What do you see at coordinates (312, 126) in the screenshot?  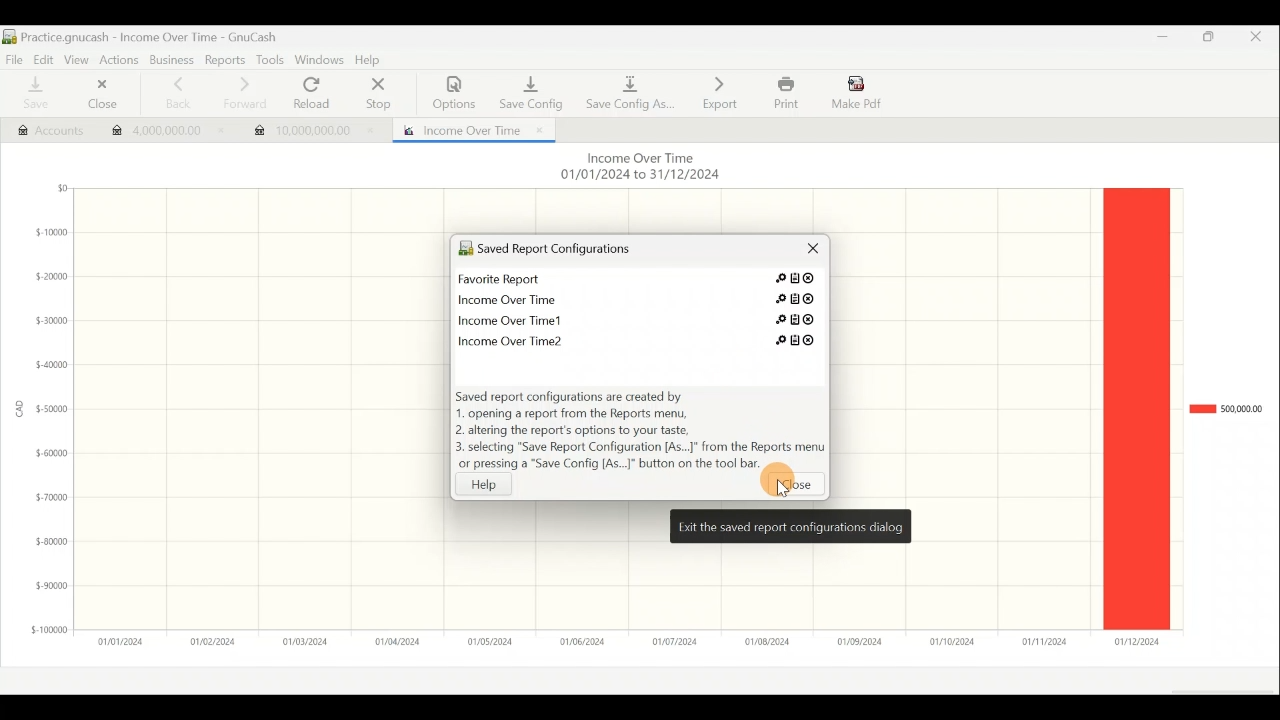 I see `Imported transaction 2` at bounding box center [312, 126].